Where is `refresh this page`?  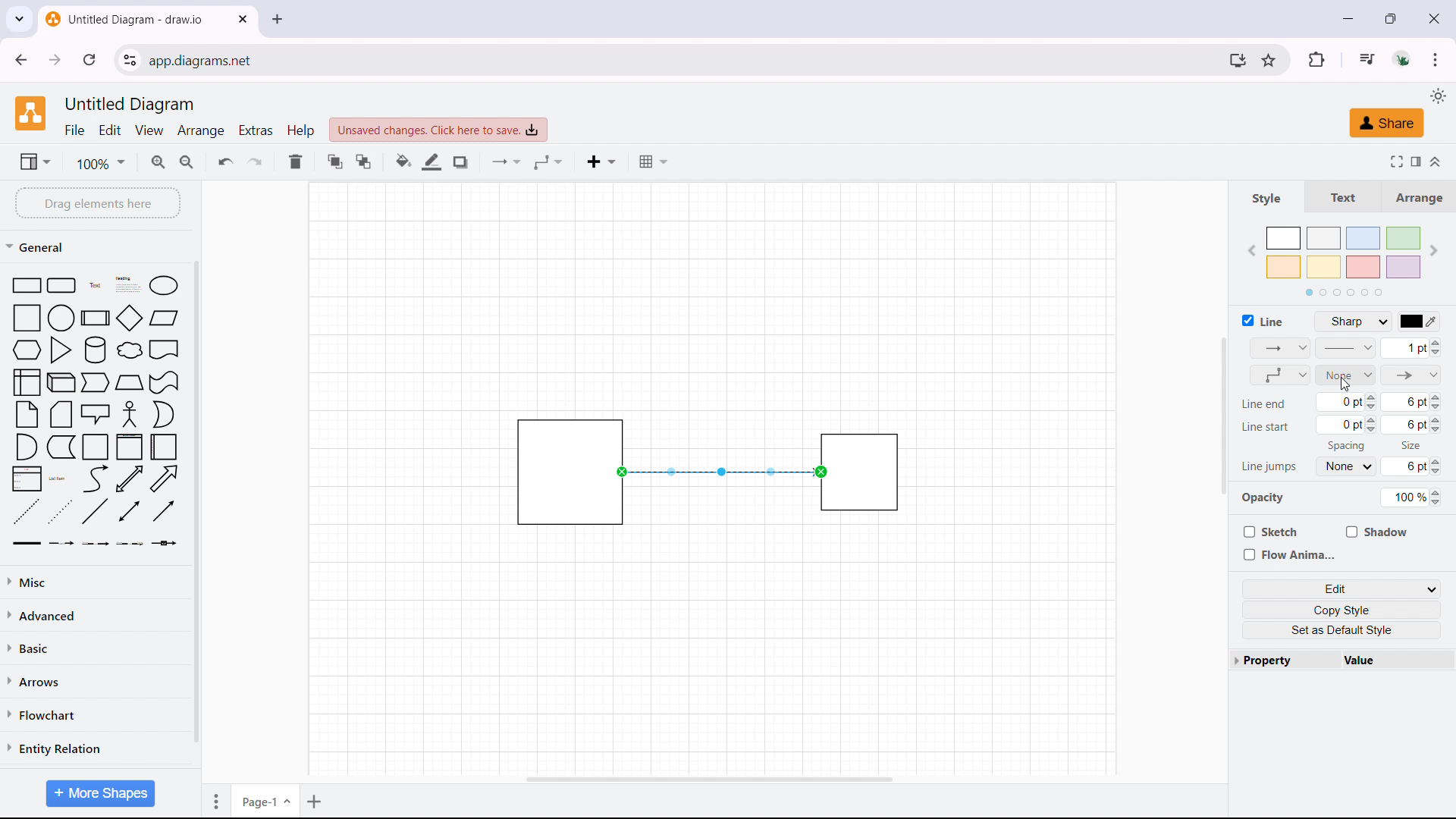 refresh this page is located at coordinates (90, 59).